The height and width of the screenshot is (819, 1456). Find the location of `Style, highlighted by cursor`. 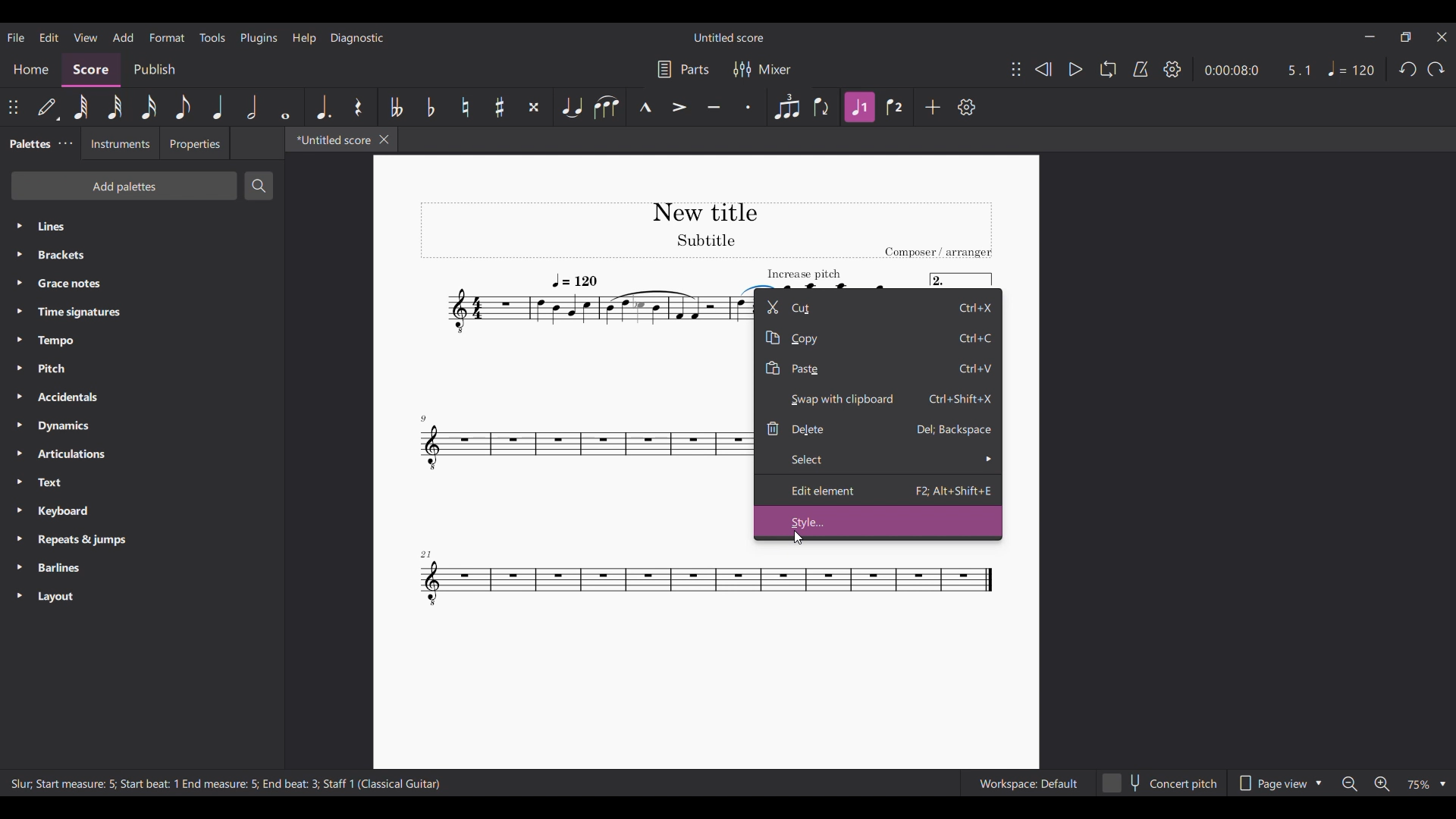

Style, highlighted by cursor is located at coordinates (878, 521).